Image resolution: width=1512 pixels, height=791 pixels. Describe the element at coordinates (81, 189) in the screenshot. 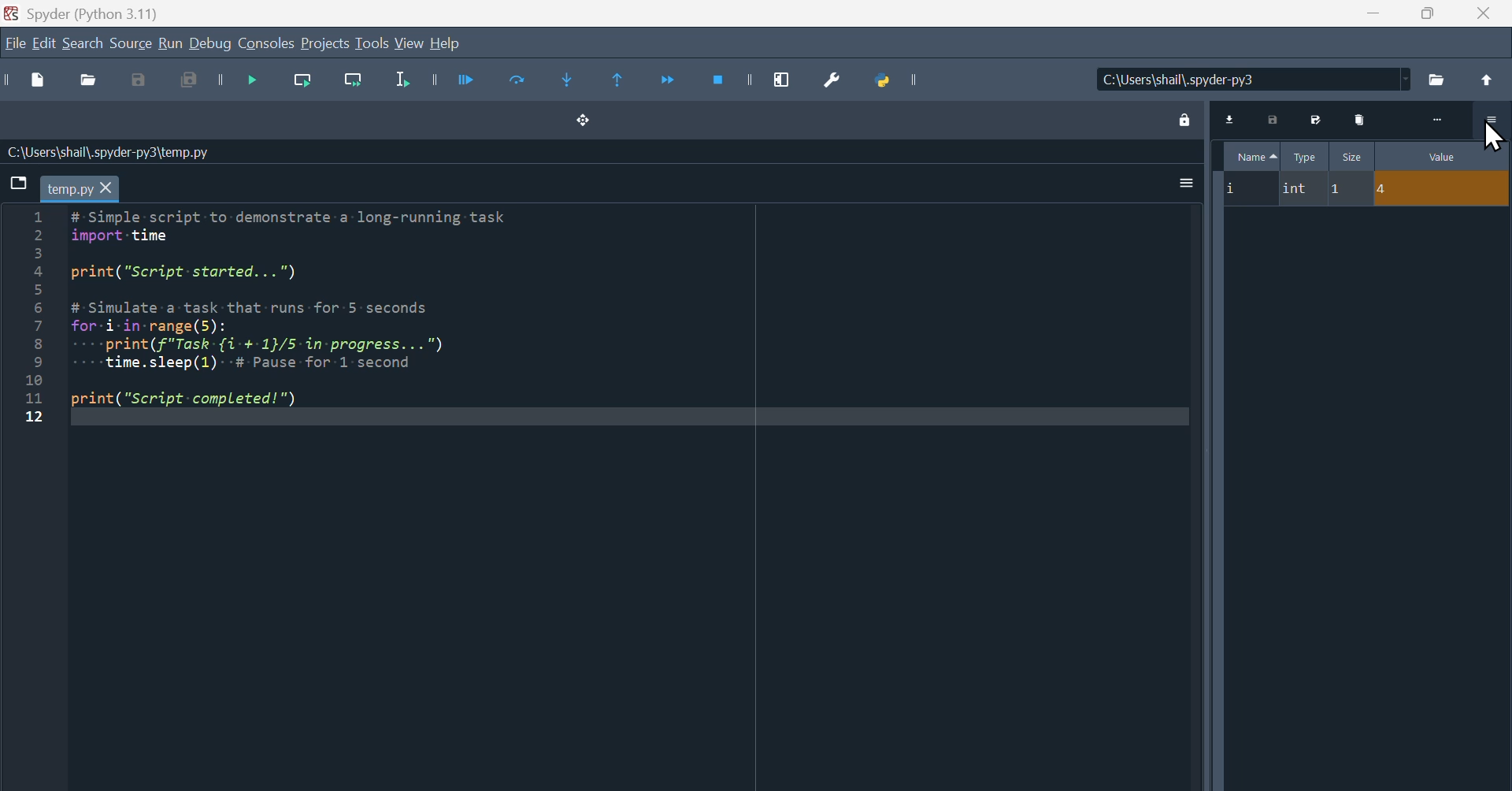

I see `tab` at that location.